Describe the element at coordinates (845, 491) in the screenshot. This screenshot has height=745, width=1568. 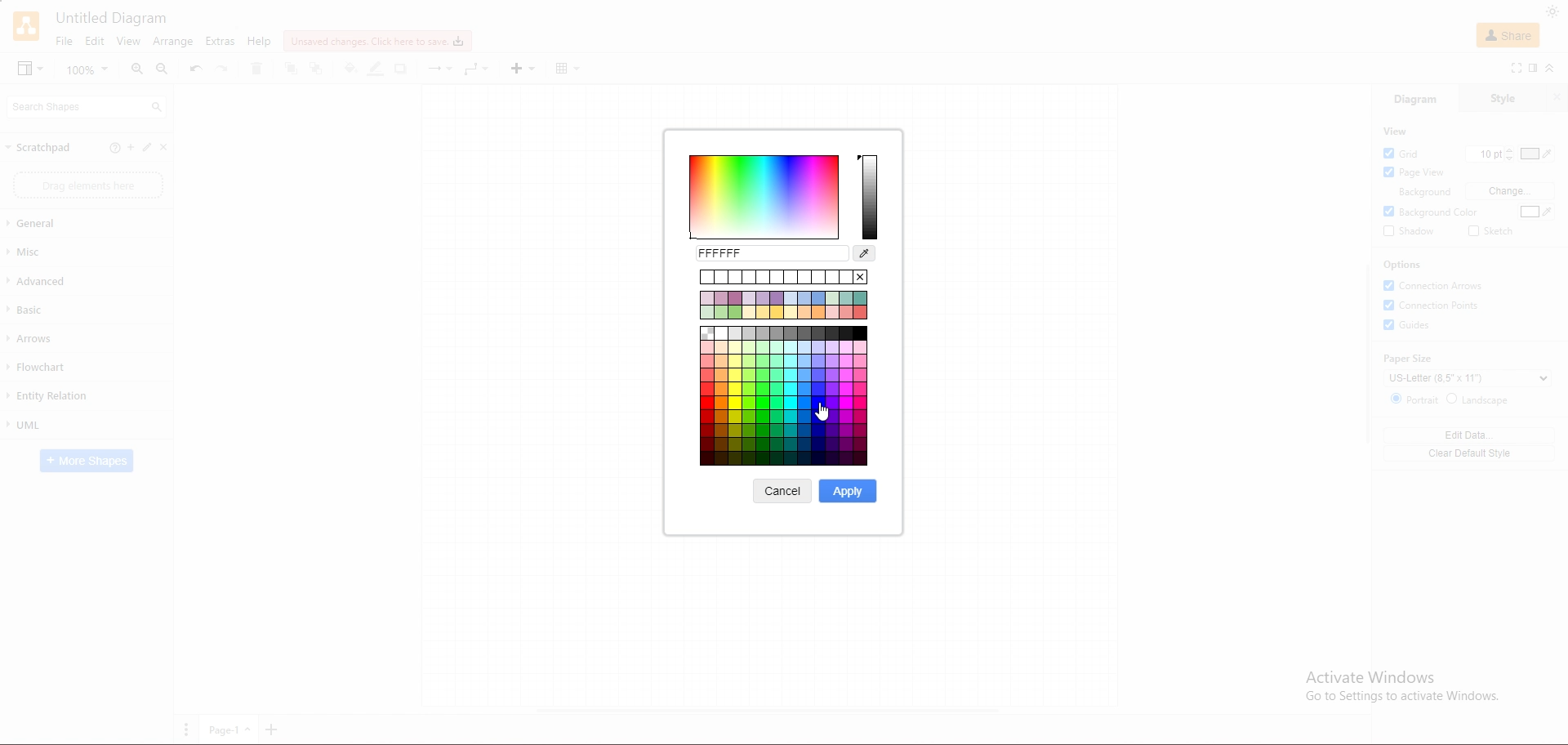
I see `apply` at that location.